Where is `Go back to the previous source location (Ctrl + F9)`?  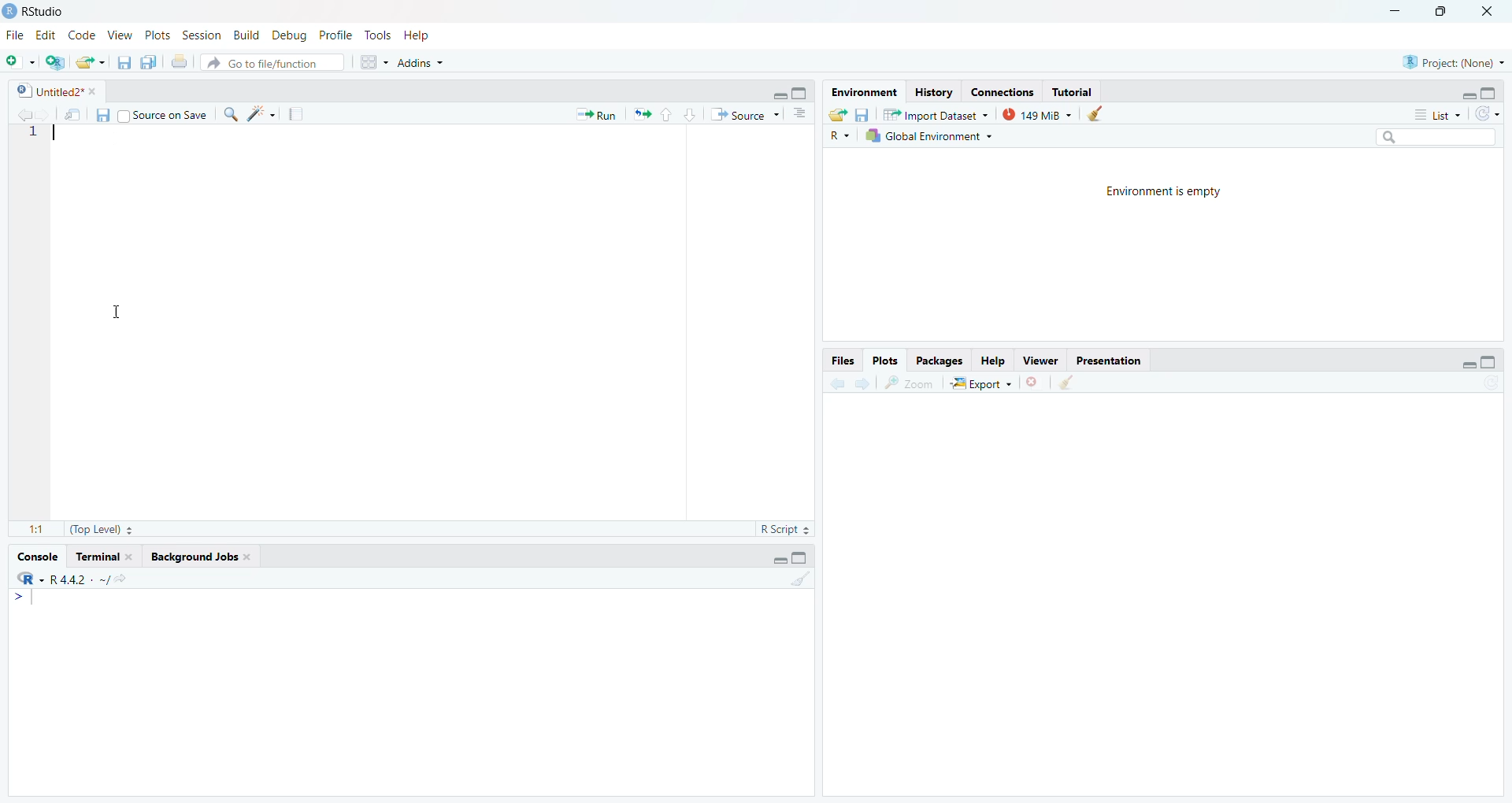
Go back to the previous source location (Ctrl + F9) is located at coordinates (834, 383).